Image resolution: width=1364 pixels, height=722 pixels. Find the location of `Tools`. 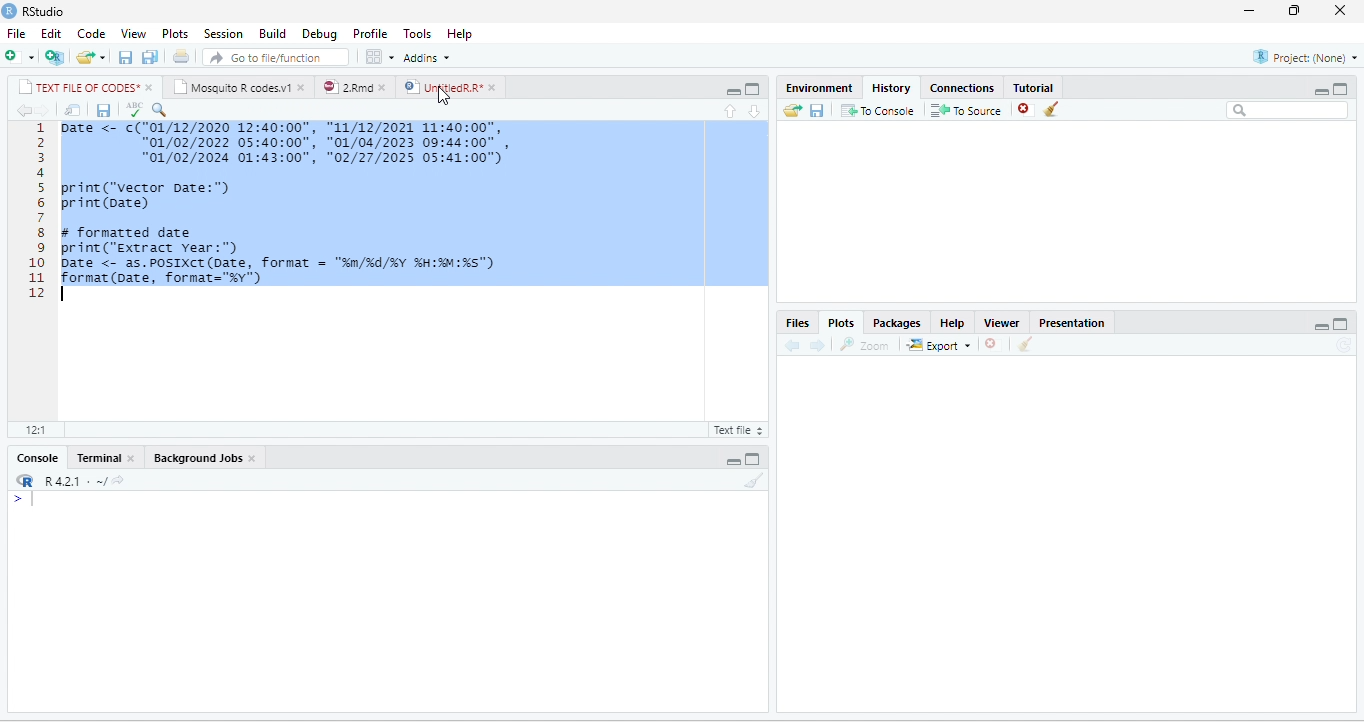

Tools is located at coordinates (419, 34).